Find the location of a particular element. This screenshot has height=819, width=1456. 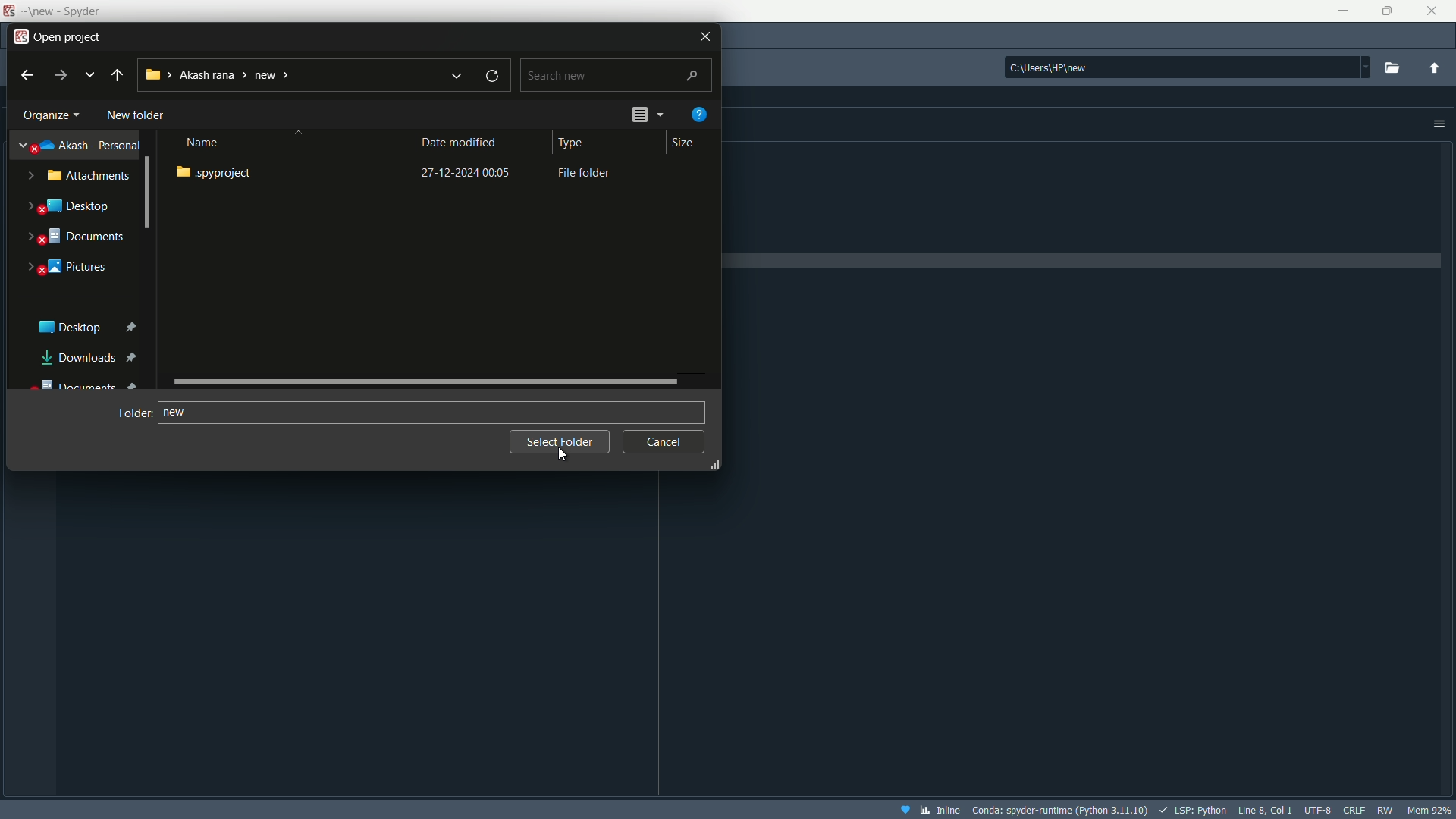

file encoding is located at coordinates (1317, 808).